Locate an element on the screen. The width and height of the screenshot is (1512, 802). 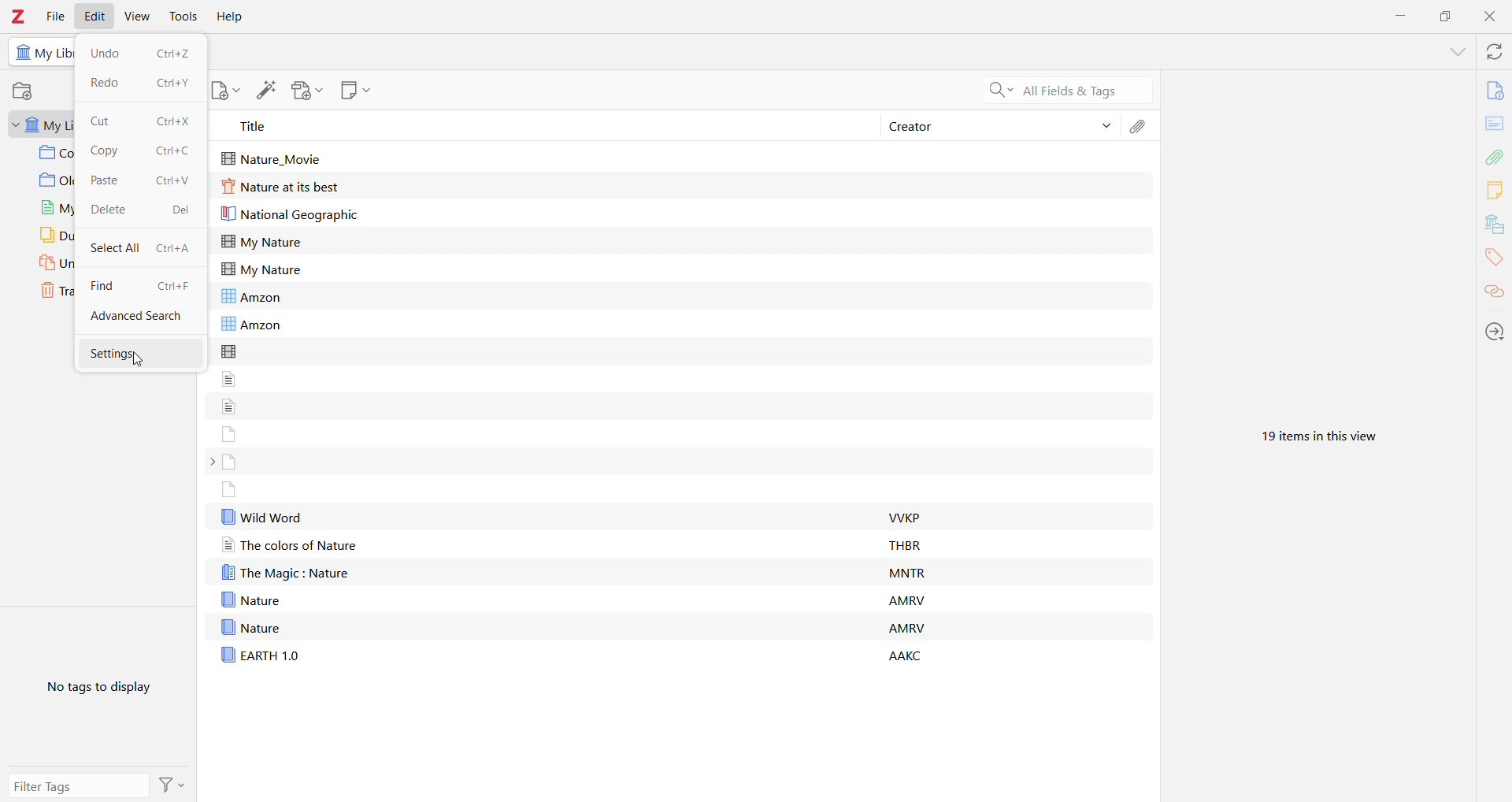
No tags to display is located at coordinates (94, 691).